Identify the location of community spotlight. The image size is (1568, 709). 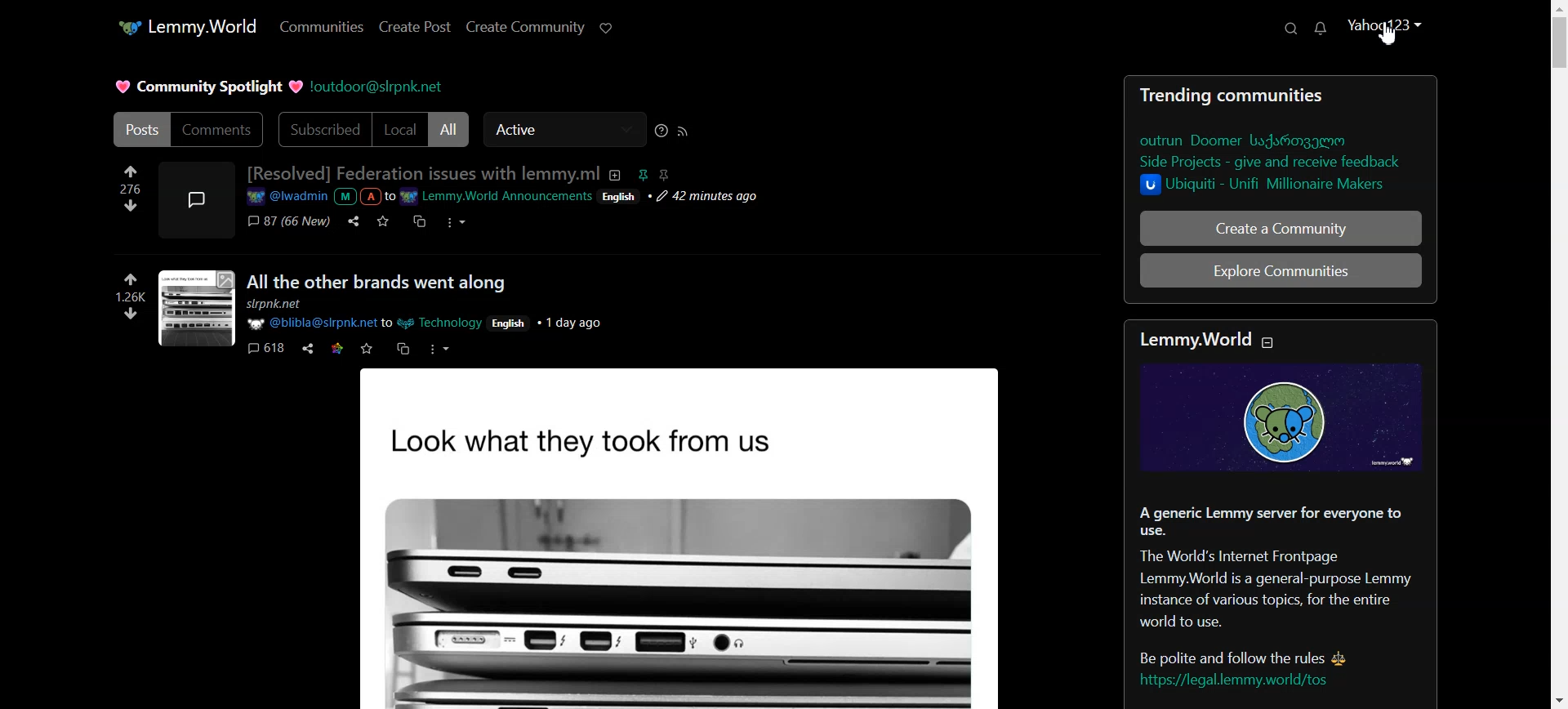
(207, 87).